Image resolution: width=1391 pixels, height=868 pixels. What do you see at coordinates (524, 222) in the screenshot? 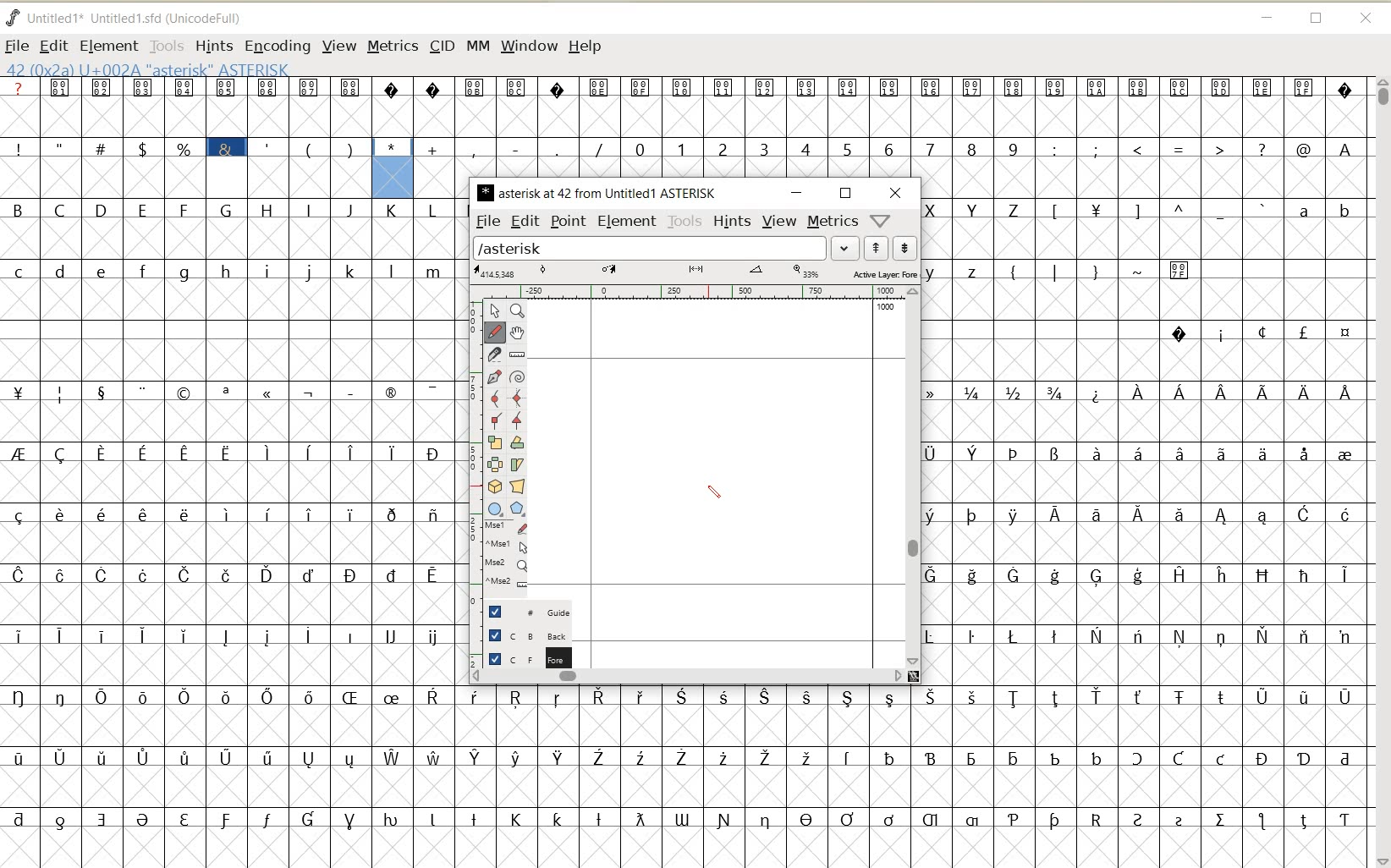
I see `EDIT` at bounding box center [524, 222].